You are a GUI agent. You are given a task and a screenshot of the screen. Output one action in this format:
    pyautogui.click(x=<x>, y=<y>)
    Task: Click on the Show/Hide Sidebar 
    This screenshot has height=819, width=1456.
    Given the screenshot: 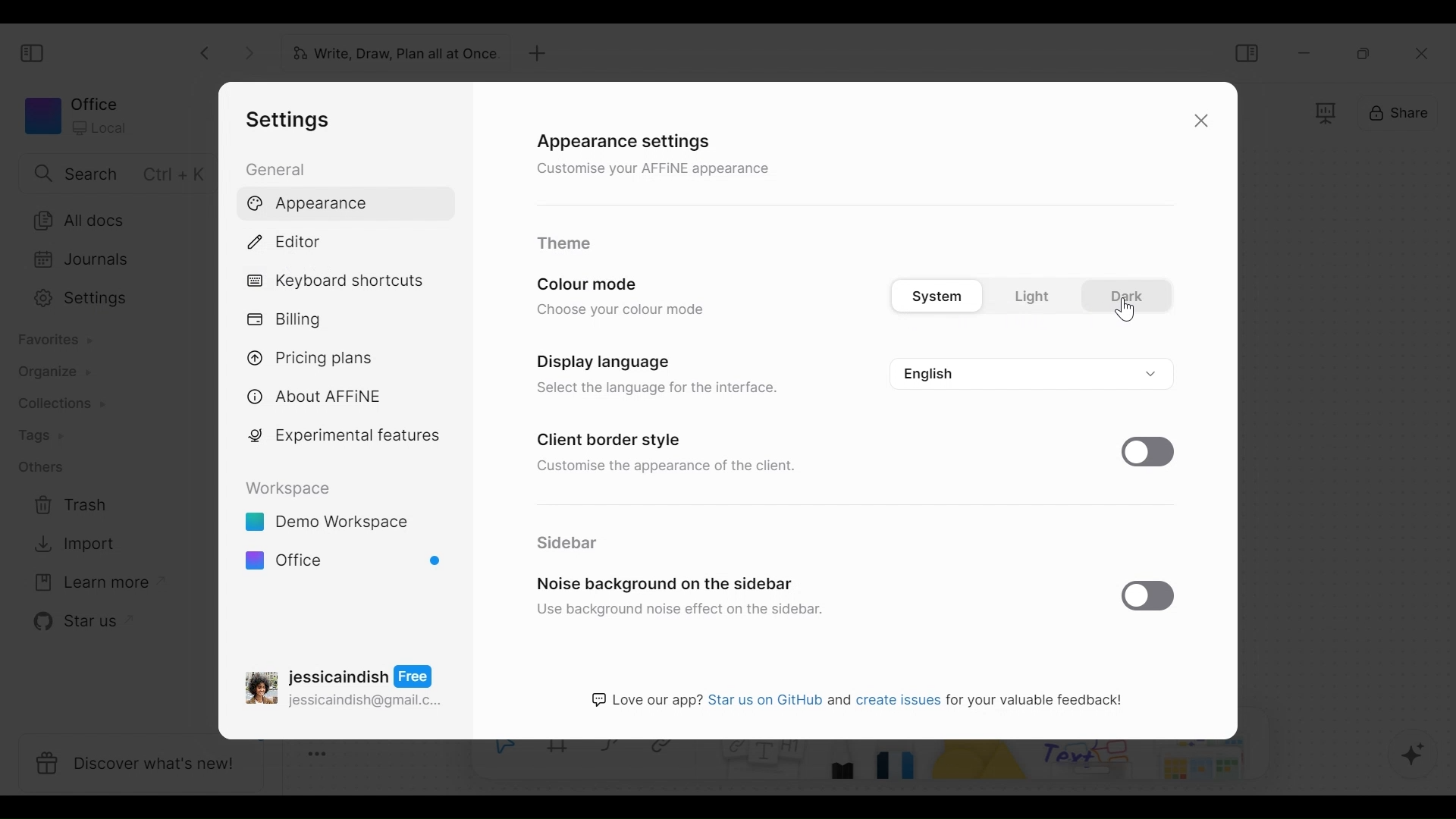 What is the action you would take?
    pyautogui.click(x=1248, y=51)
    